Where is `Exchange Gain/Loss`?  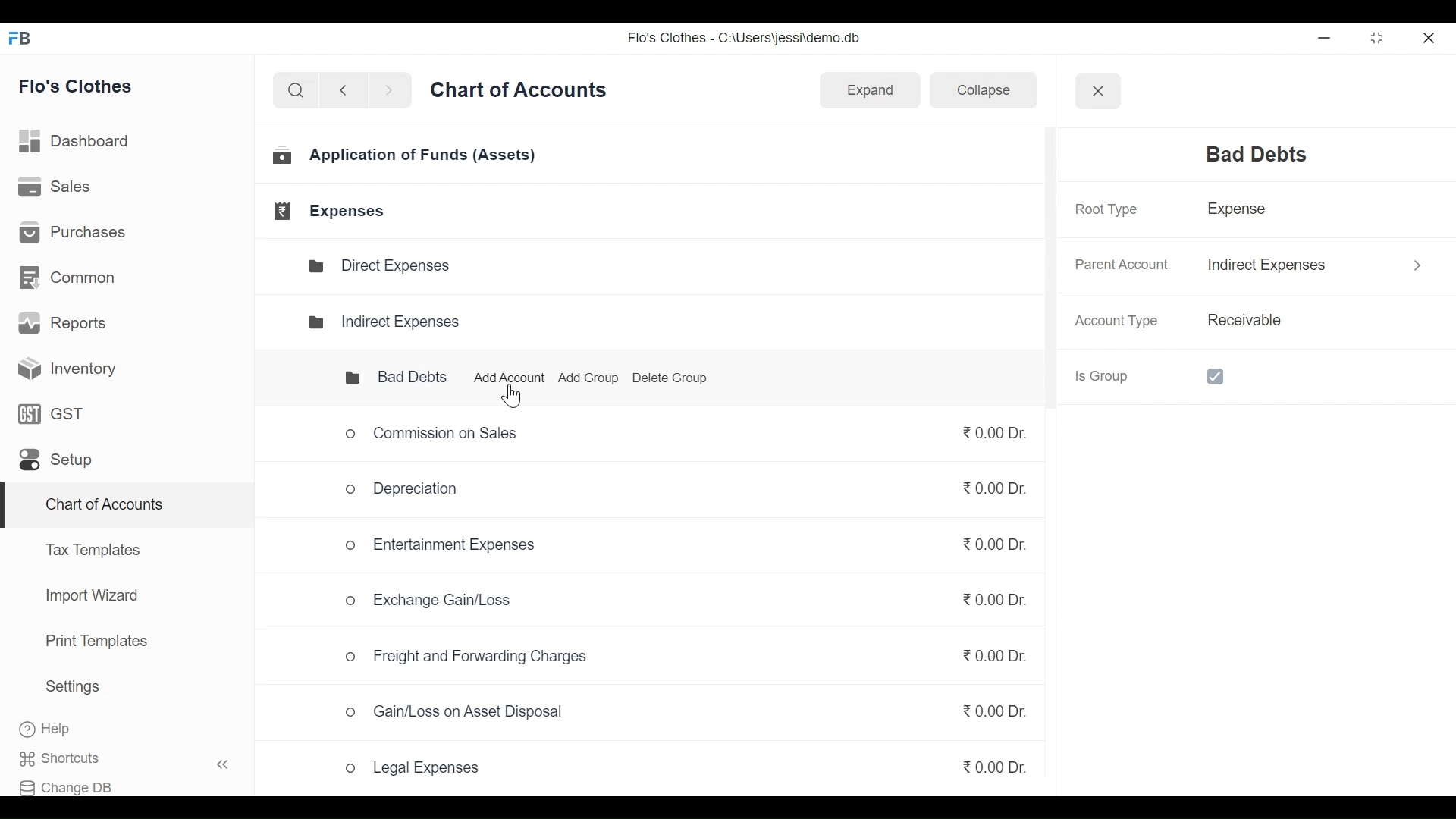
Exchange Gain/Loss is located at coordinates (436, 601).